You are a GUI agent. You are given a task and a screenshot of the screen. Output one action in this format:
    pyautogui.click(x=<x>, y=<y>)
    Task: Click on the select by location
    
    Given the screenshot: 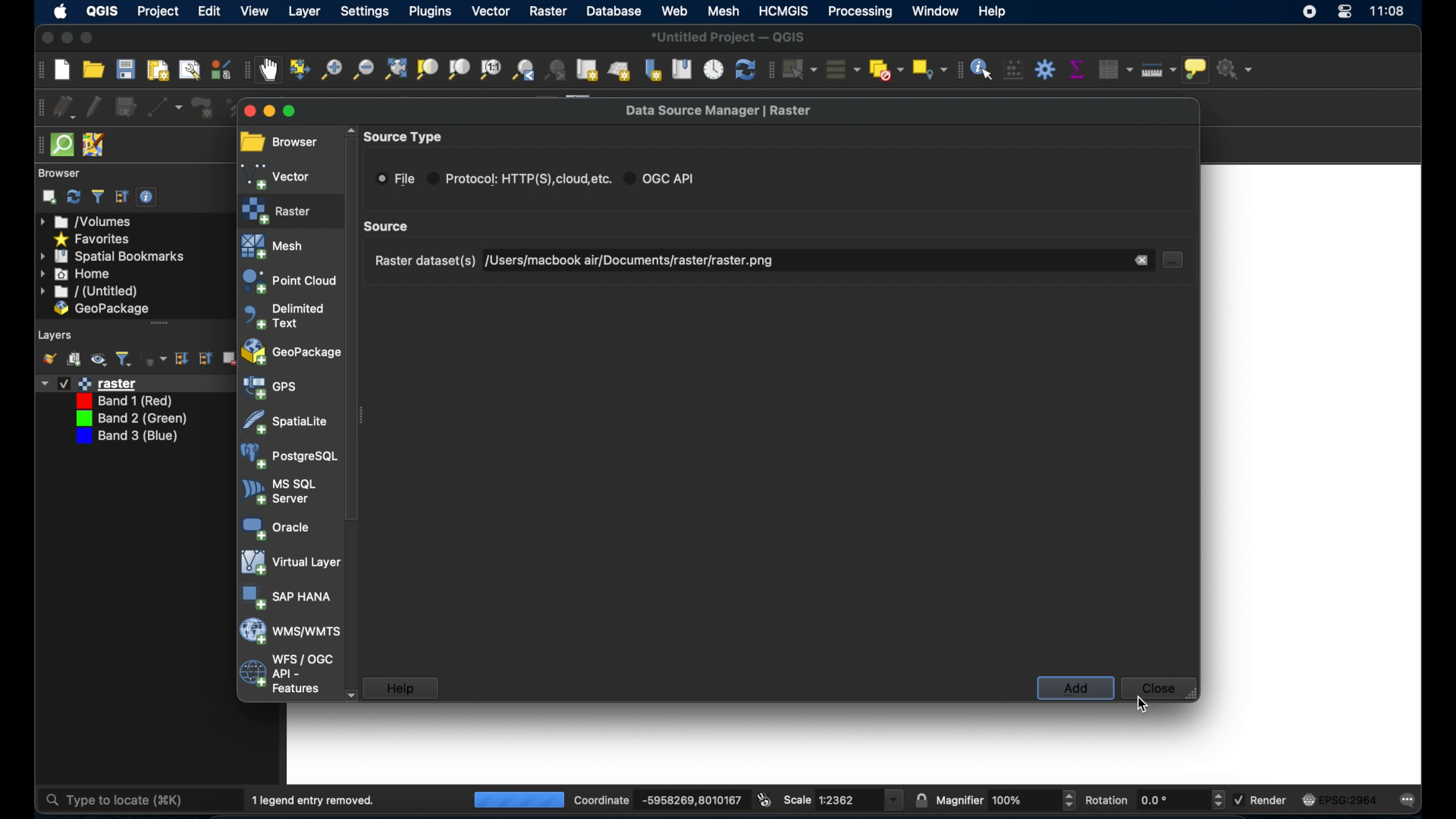 What is the action you would take?
    pyautogui.click(x=927, y=69)
    